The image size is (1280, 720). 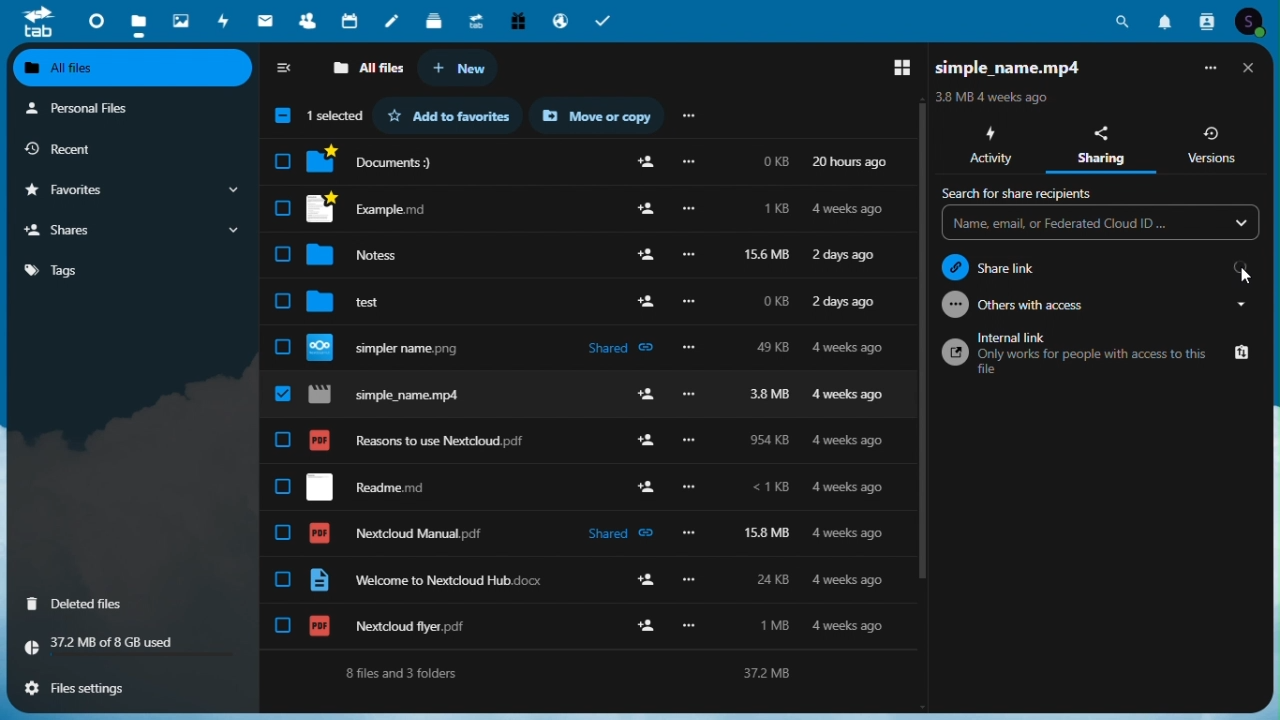 I want to click on All files, so click(x=369, y=67).